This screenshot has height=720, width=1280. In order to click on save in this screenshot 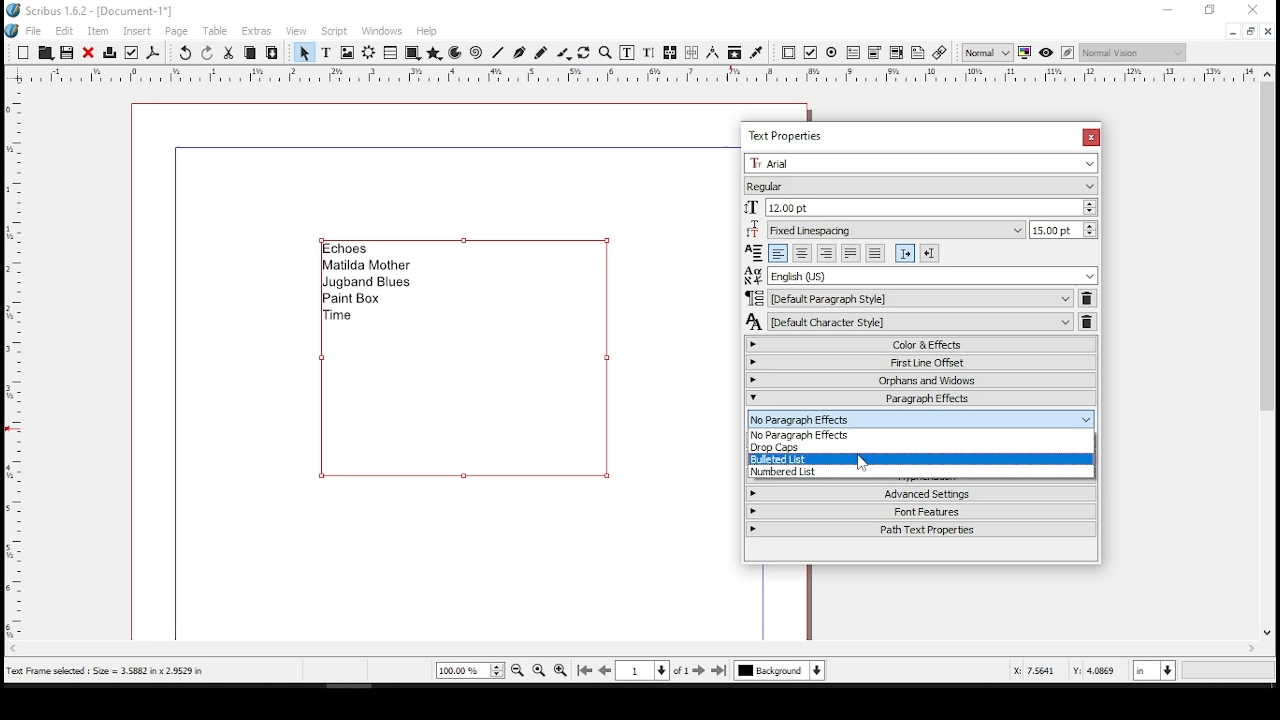, I will do `click(66, 52)`.